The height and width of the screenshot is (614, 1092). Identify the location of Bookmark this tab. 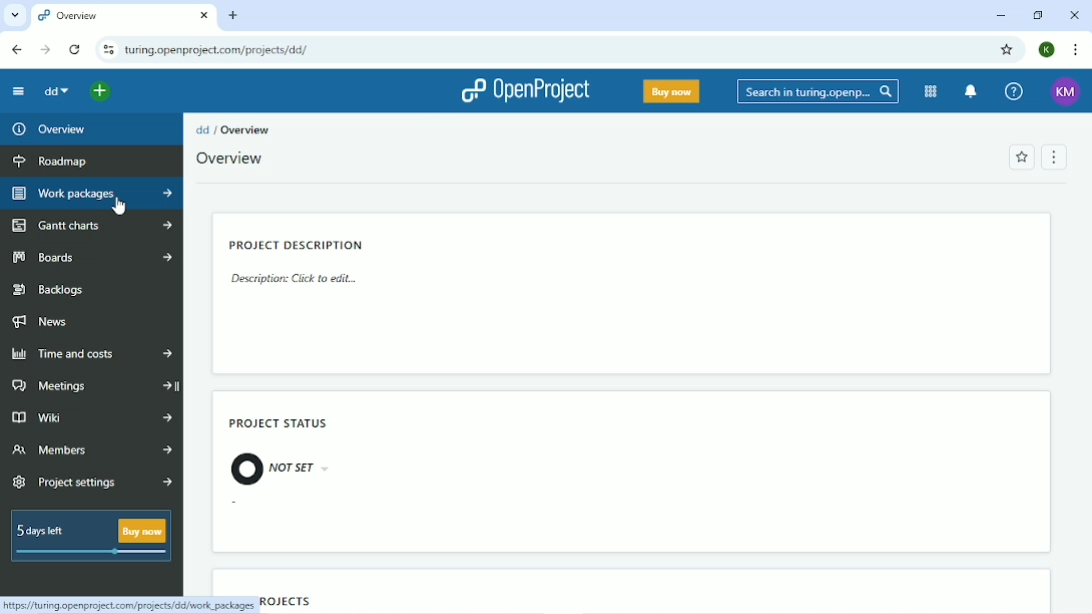
(1007, 49).